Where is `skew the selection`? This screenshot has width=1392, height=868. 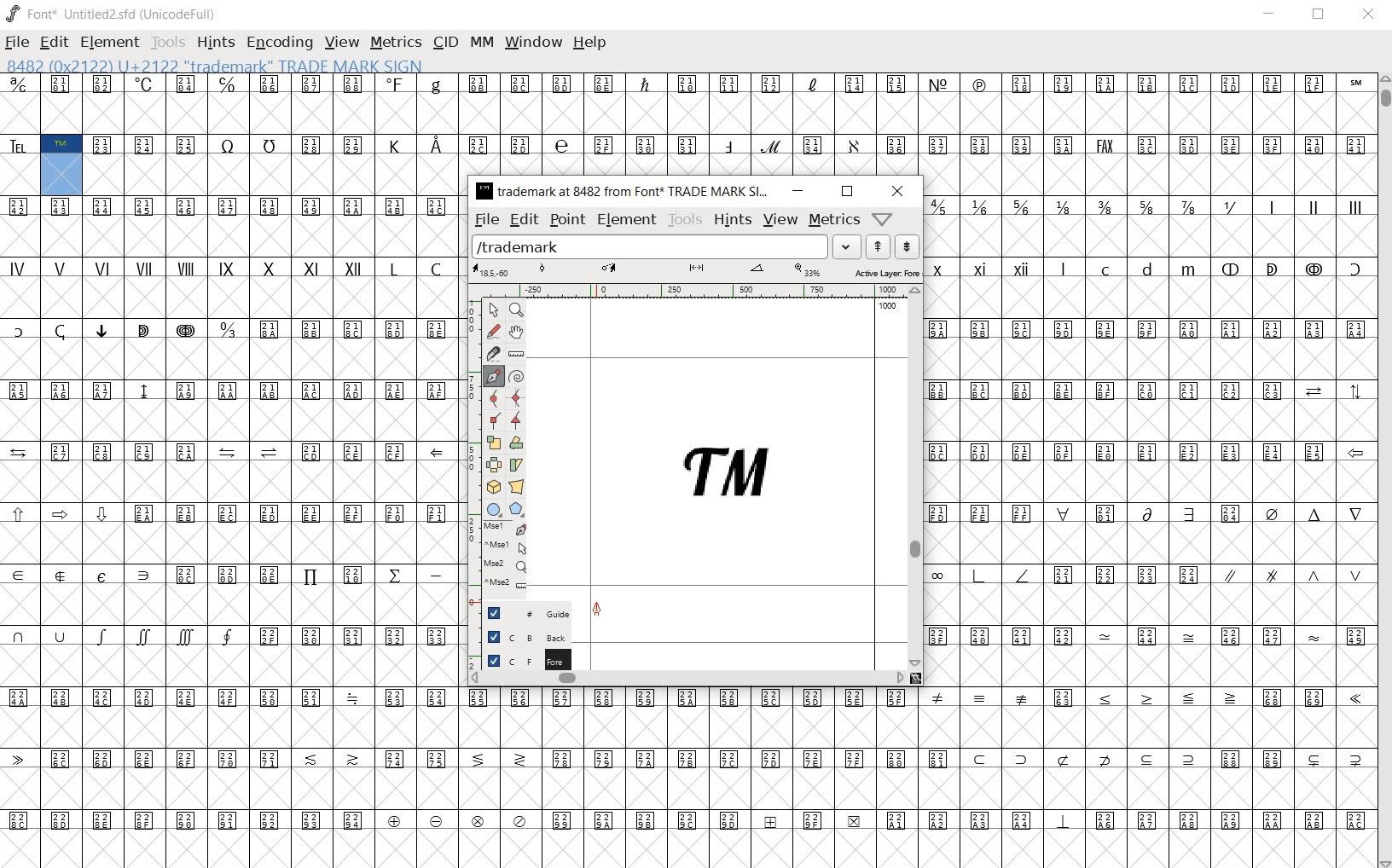
skew the selection is located at coordinates (519, 465).